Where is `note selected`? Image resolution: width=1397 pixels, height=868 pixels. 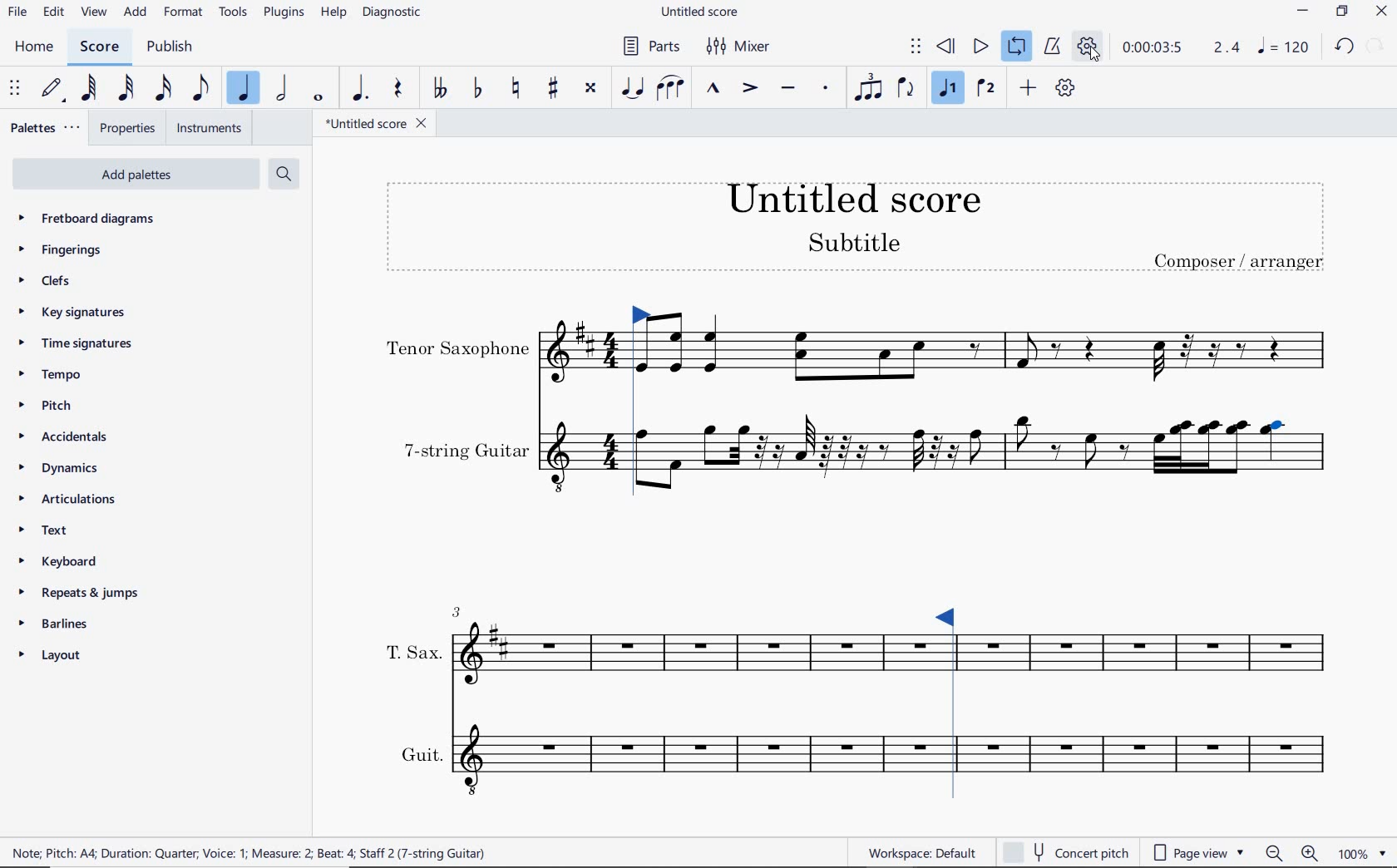
note selected is located at coordinates (1278, 426).